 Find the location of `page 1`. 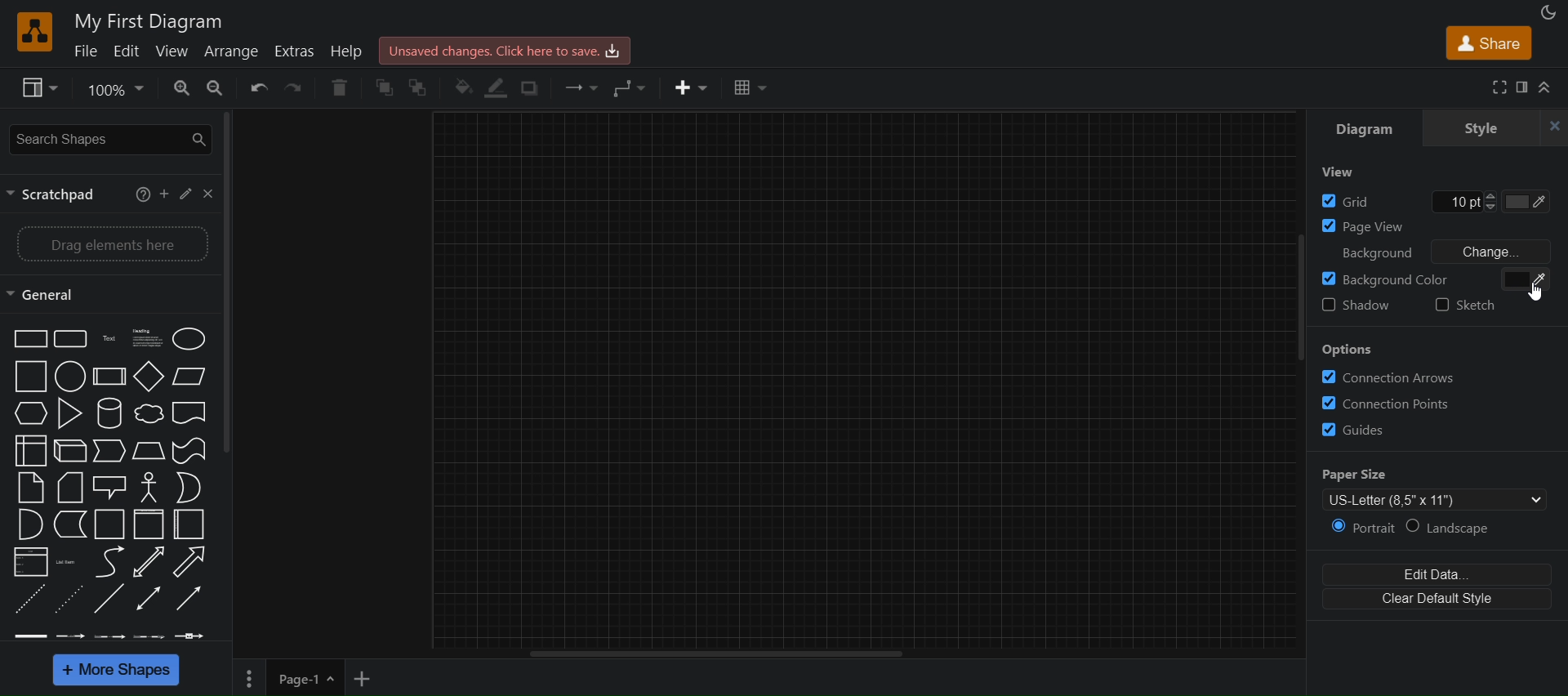

page 1 is located at coordinates (287, 677).